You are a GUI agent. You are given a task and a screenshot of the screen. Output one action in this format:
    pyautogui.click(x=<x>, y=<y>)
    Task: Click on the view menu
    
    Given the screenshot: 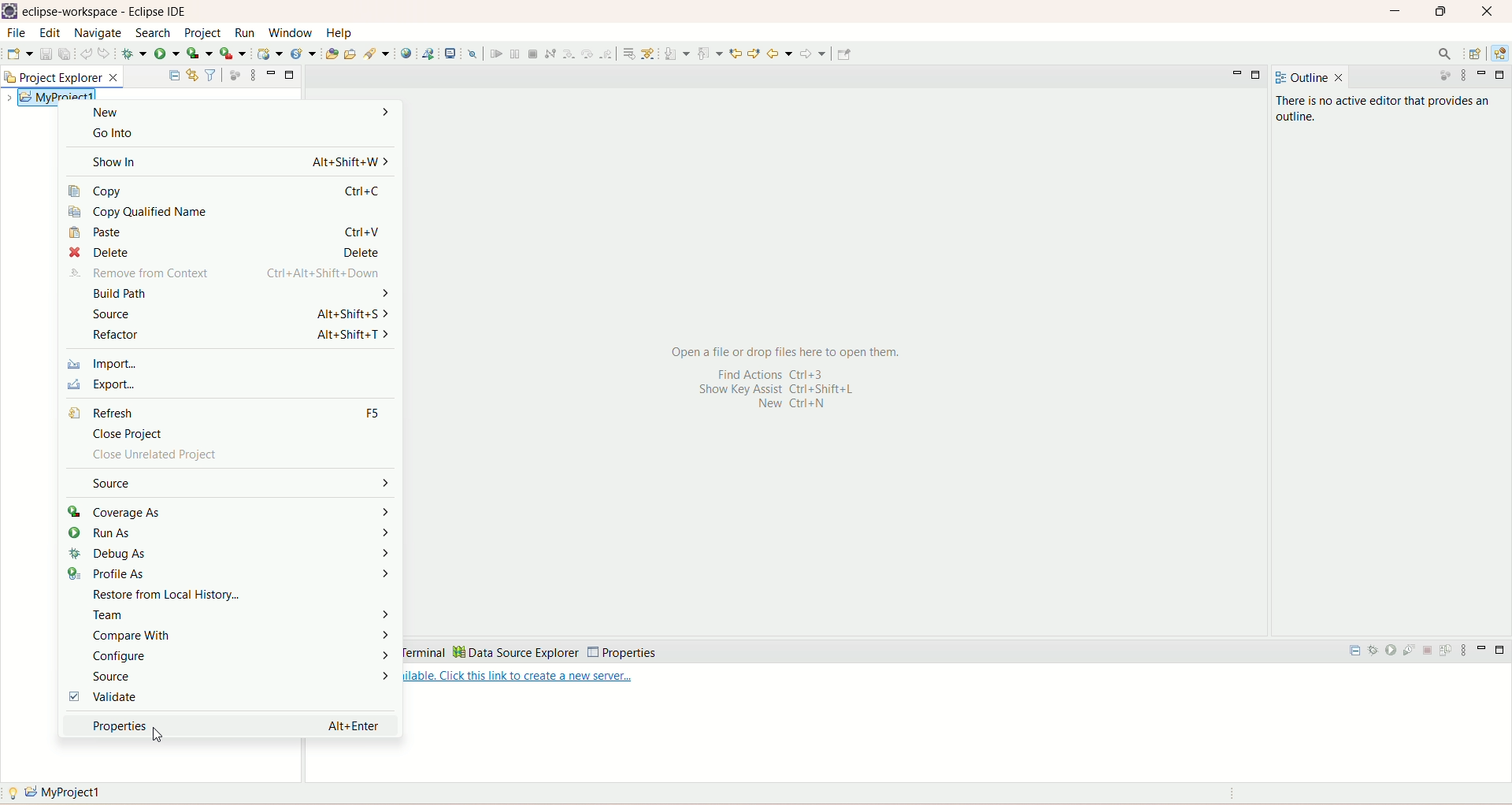 What is the action you would take?
    pyautogui.click(x=1467, y=651)
    